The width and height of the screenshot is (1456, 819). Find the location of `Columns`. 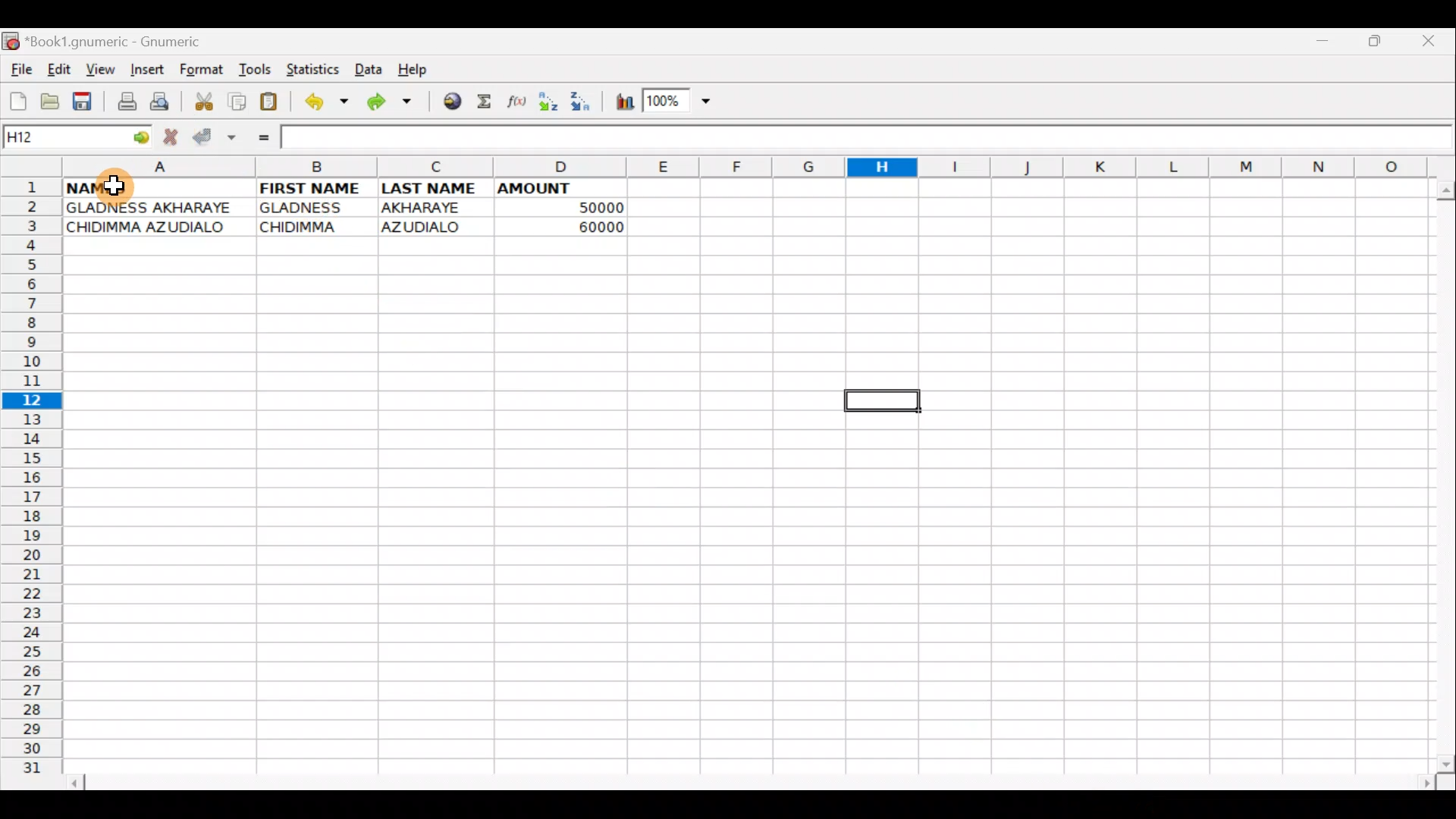

Columns is located at coordinates (760, 168).